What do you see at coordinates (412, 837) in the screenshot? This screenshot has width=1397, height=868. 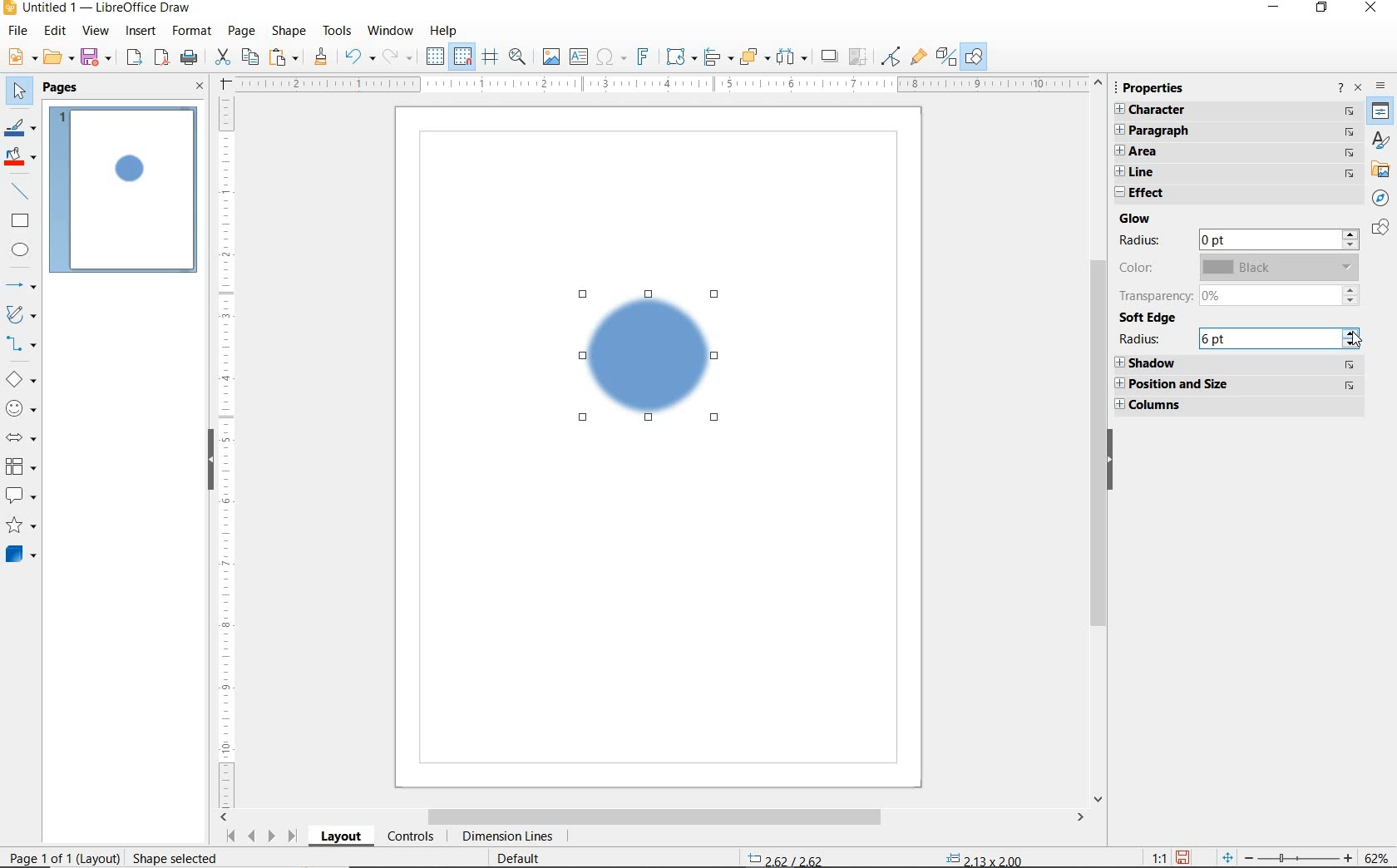 I see `CONTROLS` at bounding box center [412, 837].